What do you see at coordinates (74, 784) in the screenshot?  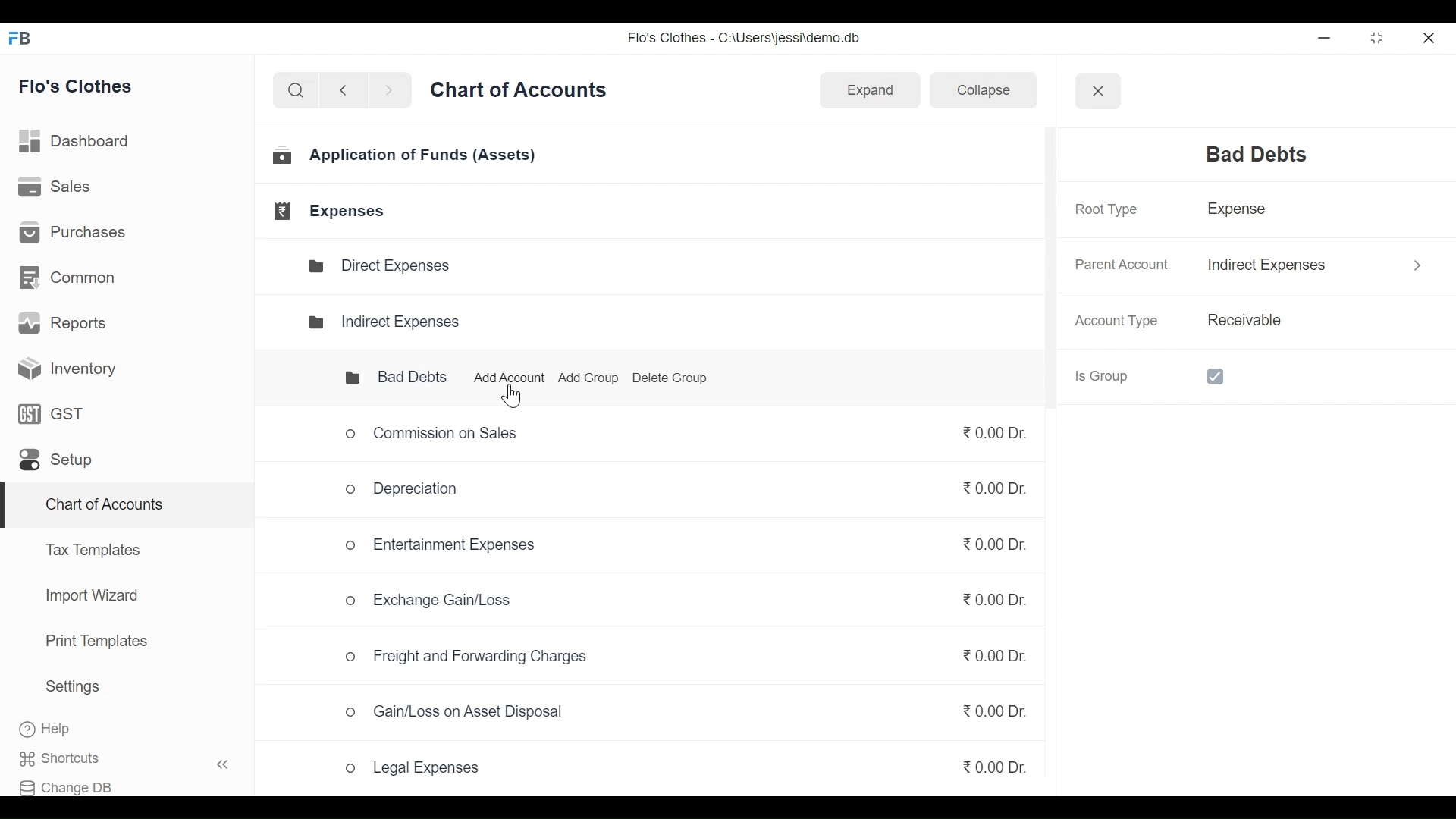 I see `Change DB` at bounding box center [74, 784].